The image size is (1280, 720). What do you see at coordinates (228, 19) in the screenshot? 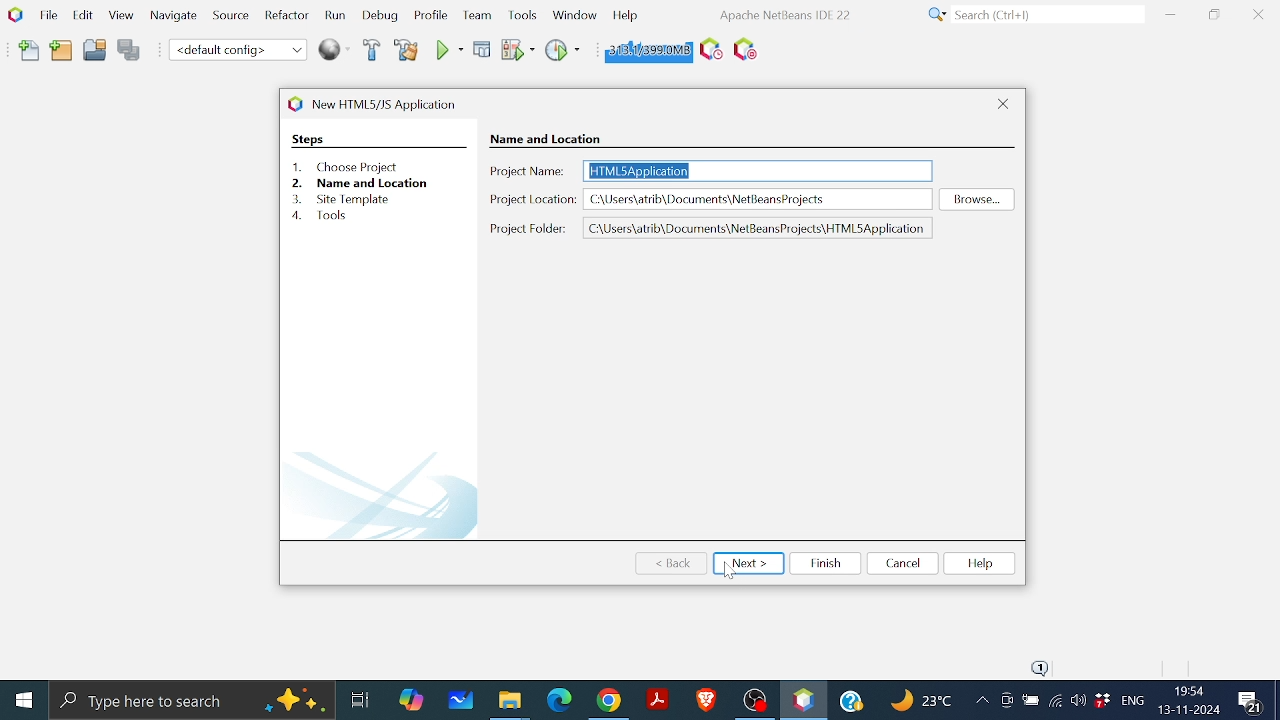
I see `Source` at bounding box center [228, 19].